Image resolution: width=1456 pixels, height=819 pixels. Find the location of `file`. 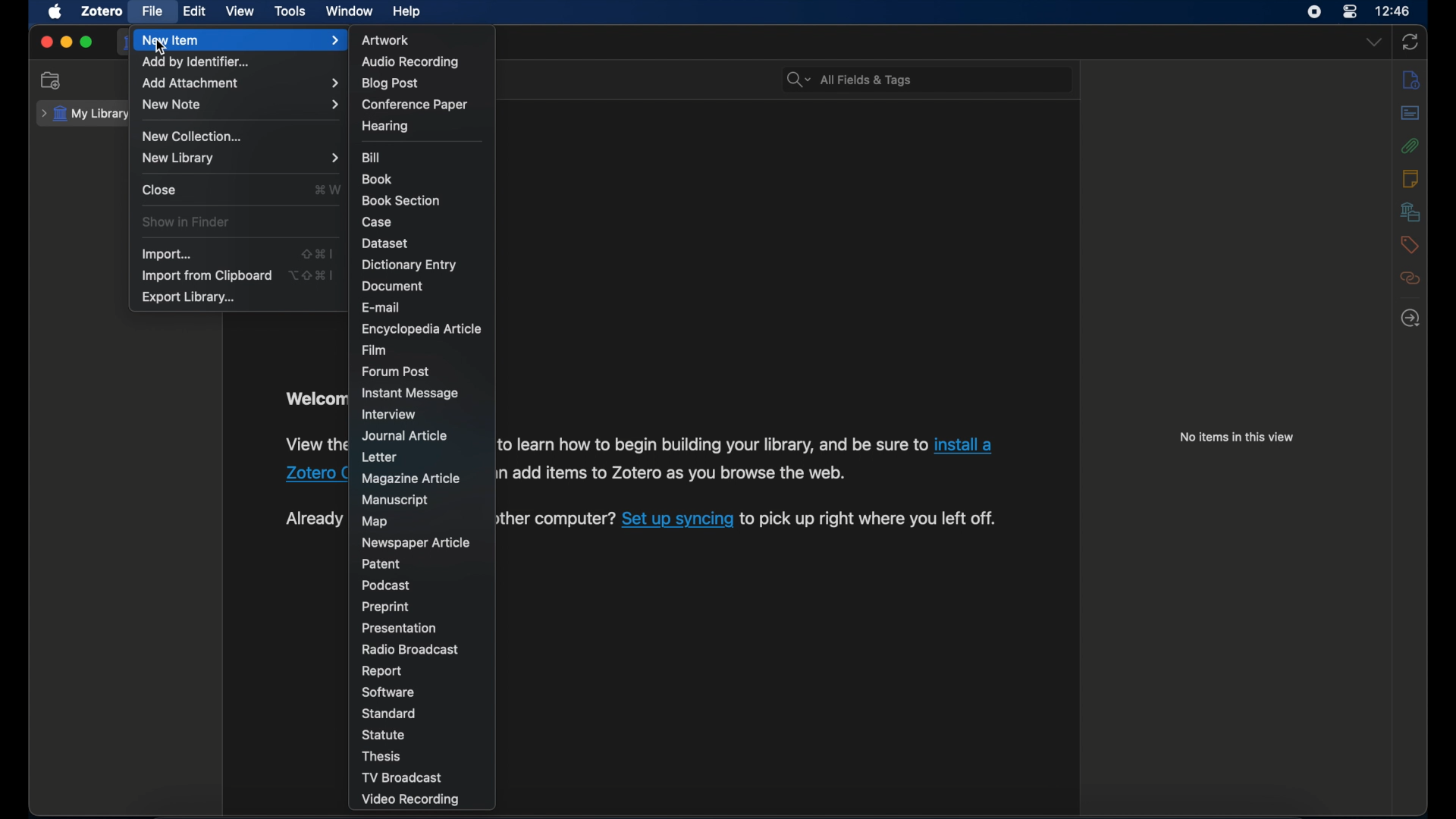

file is located at coordinates (153, 11).